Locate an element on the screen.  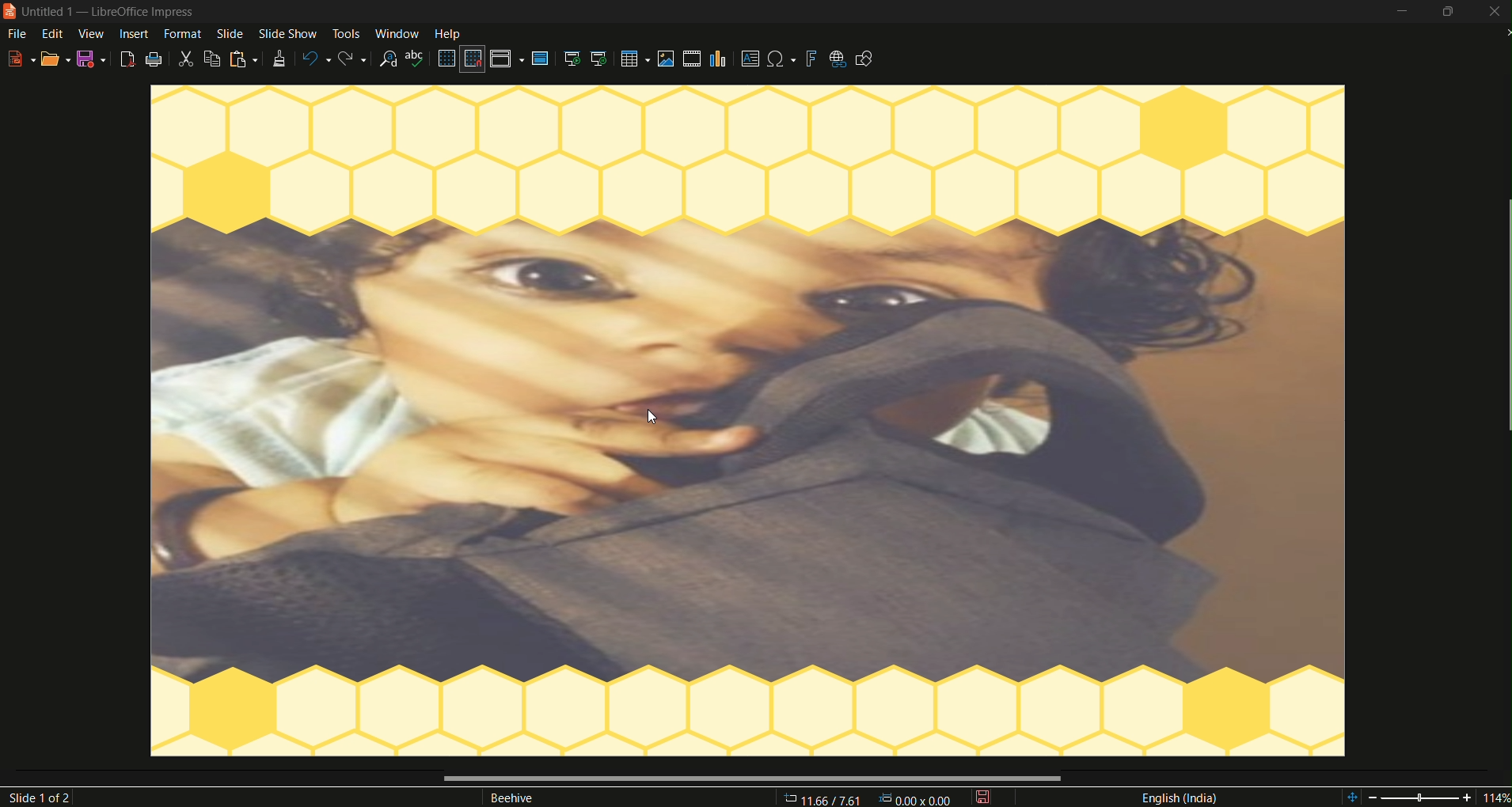
close is located at coordinates (1494, 13).